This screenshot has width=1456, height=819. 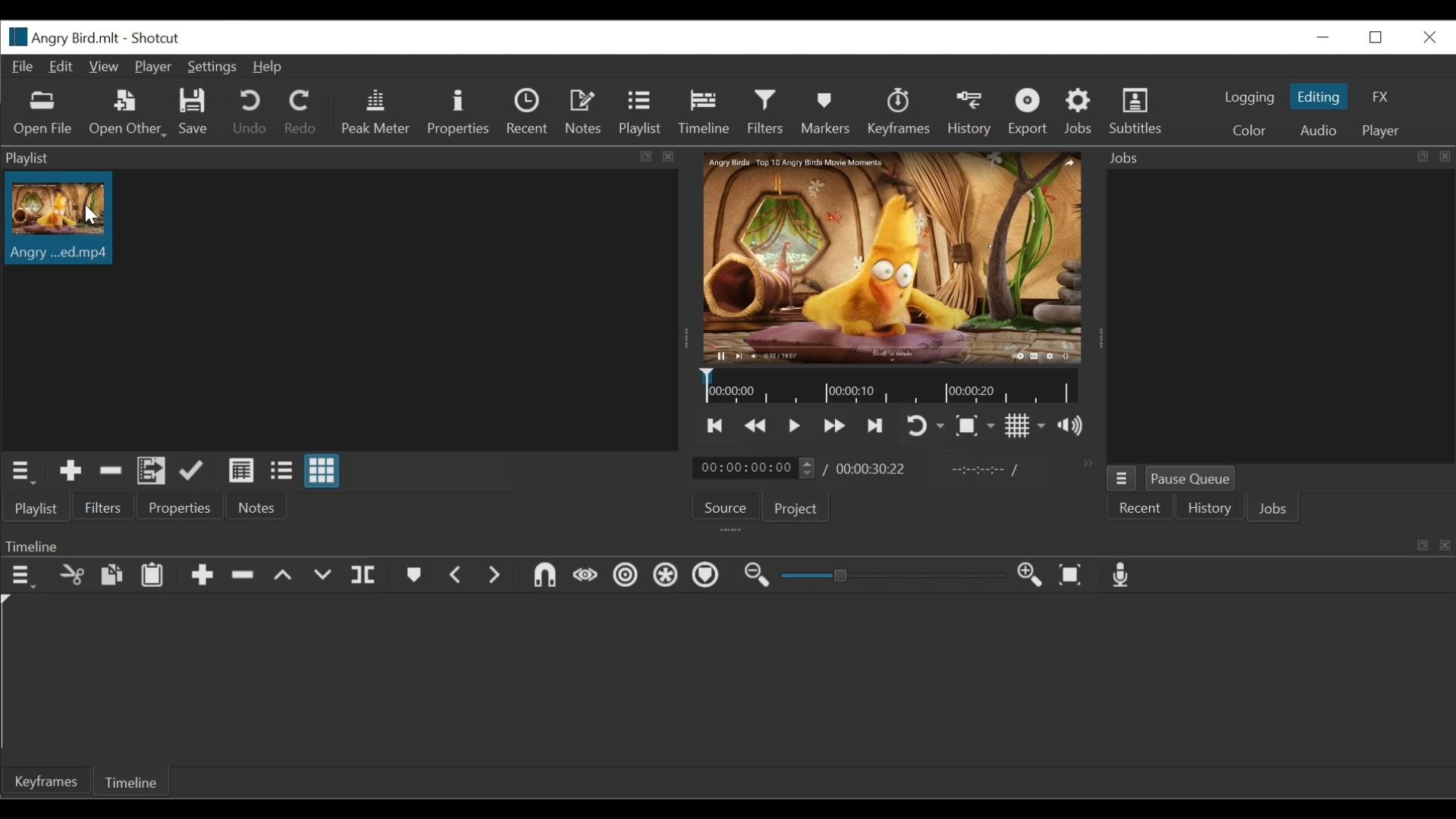 What do you see at coordinates (703, 112) in the screenshot?
I see `Timeline` at bounding box center [703, 112].